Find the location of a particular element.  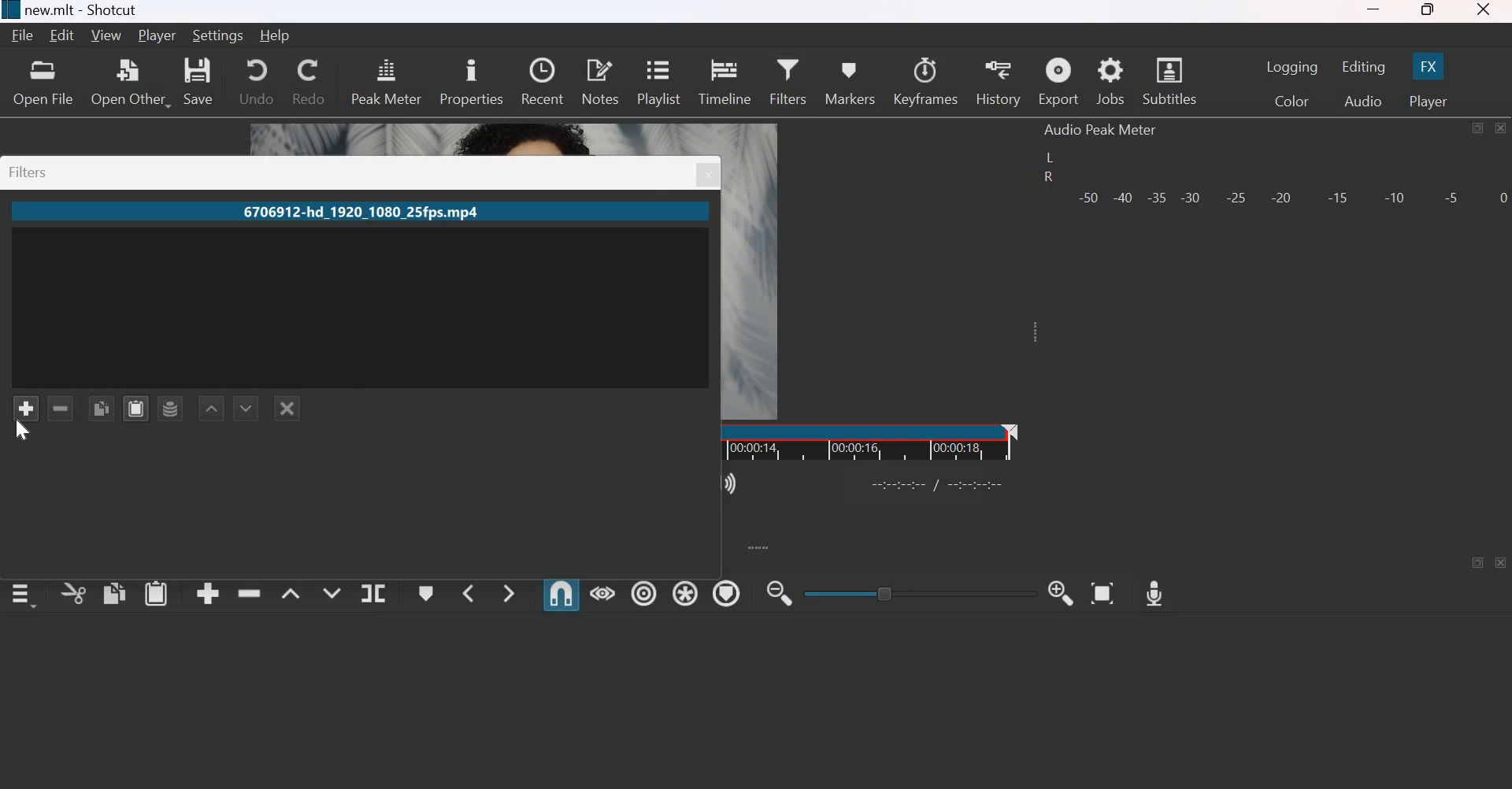

Keyframes is located at coordinates (926, 81).